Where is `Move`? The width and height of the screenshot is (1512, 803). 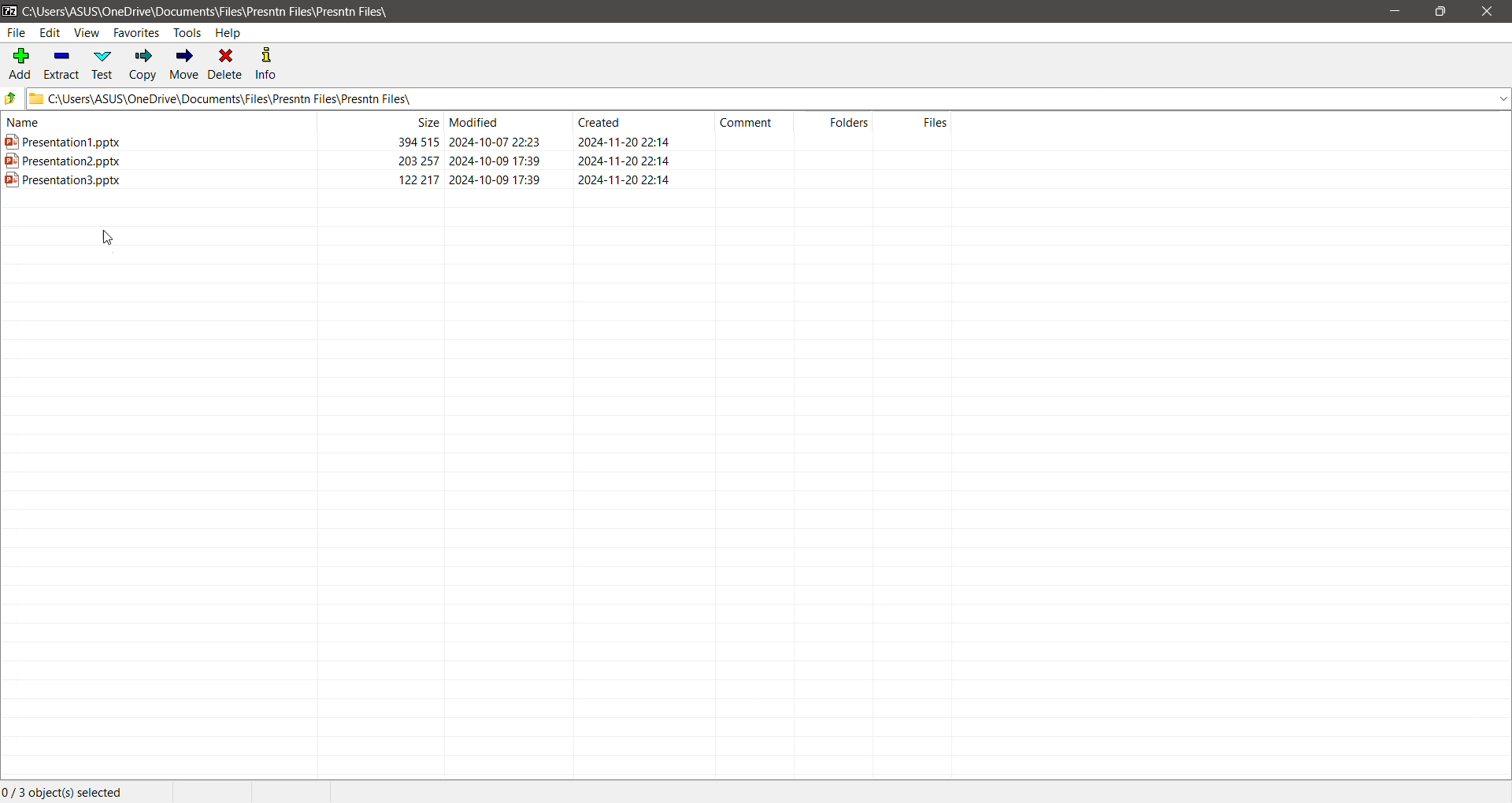 Move is located at coordinates (185, 65).